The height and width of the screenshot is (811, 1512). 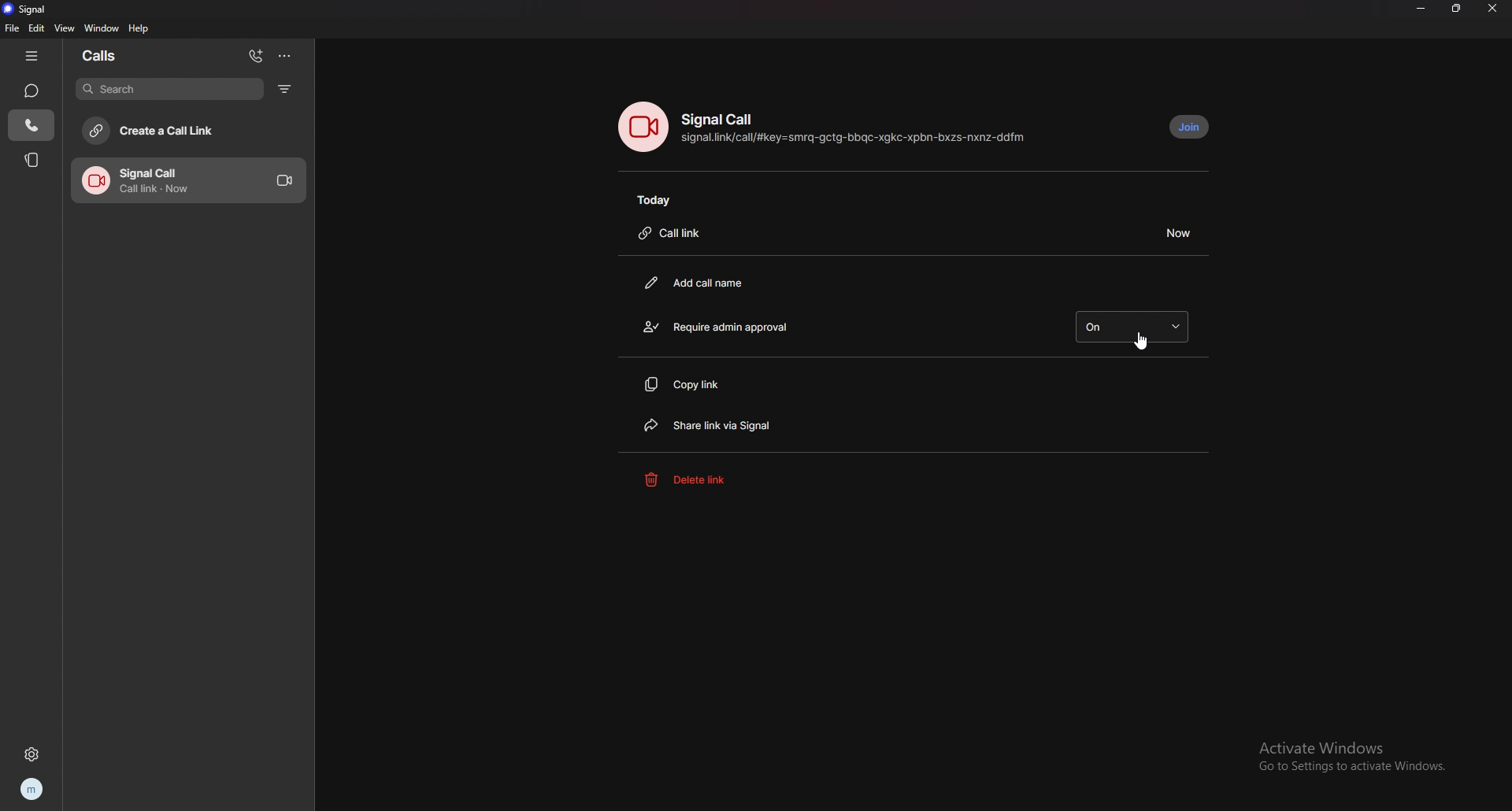 What do you see at coordinates (1177, 232) in the screenshot?
I see `duration` at bounding box center [1177, 232].